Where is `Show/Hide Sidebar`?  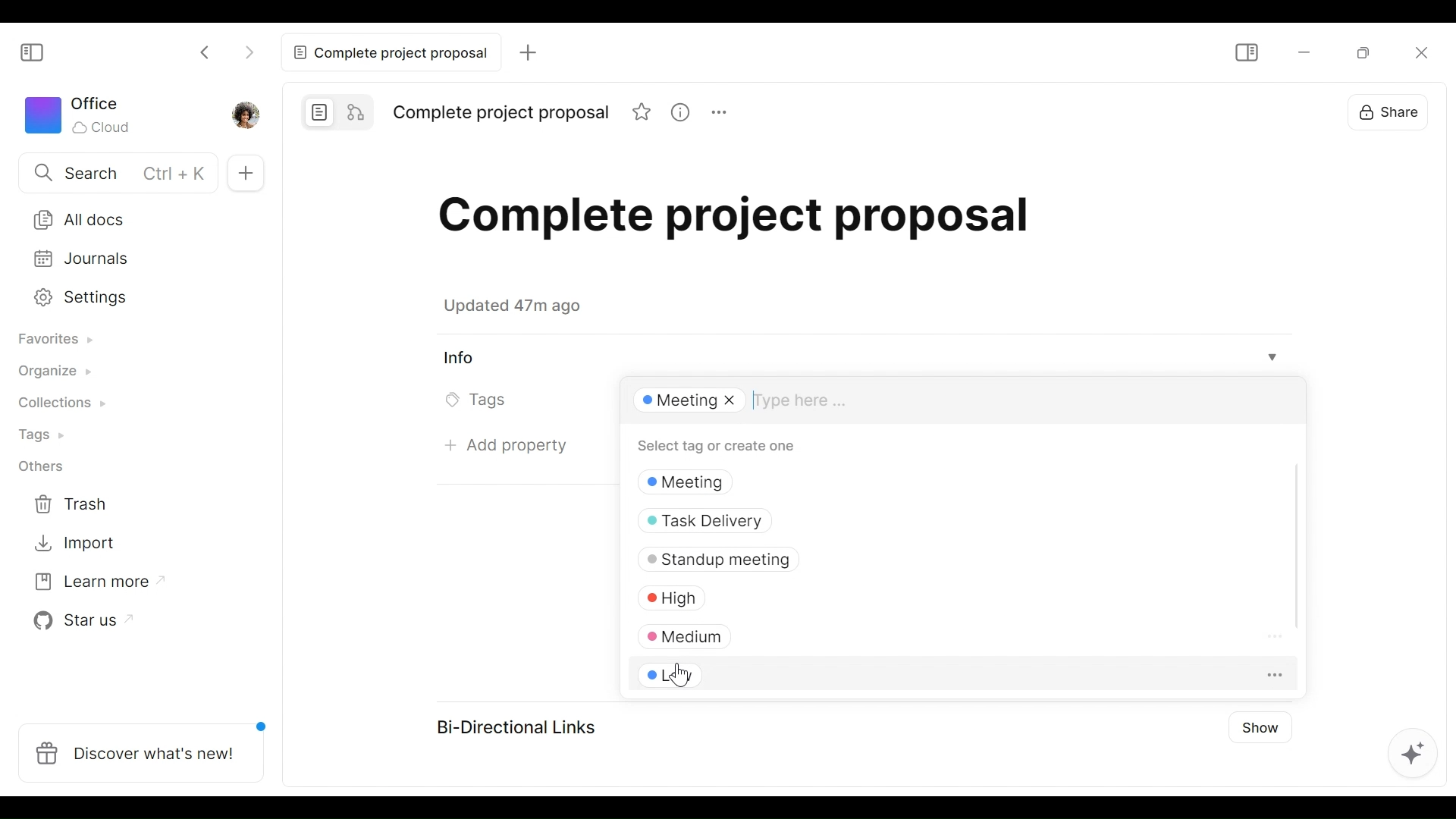
Show/Hide Sidebar is located at coordinates (1248, 52).